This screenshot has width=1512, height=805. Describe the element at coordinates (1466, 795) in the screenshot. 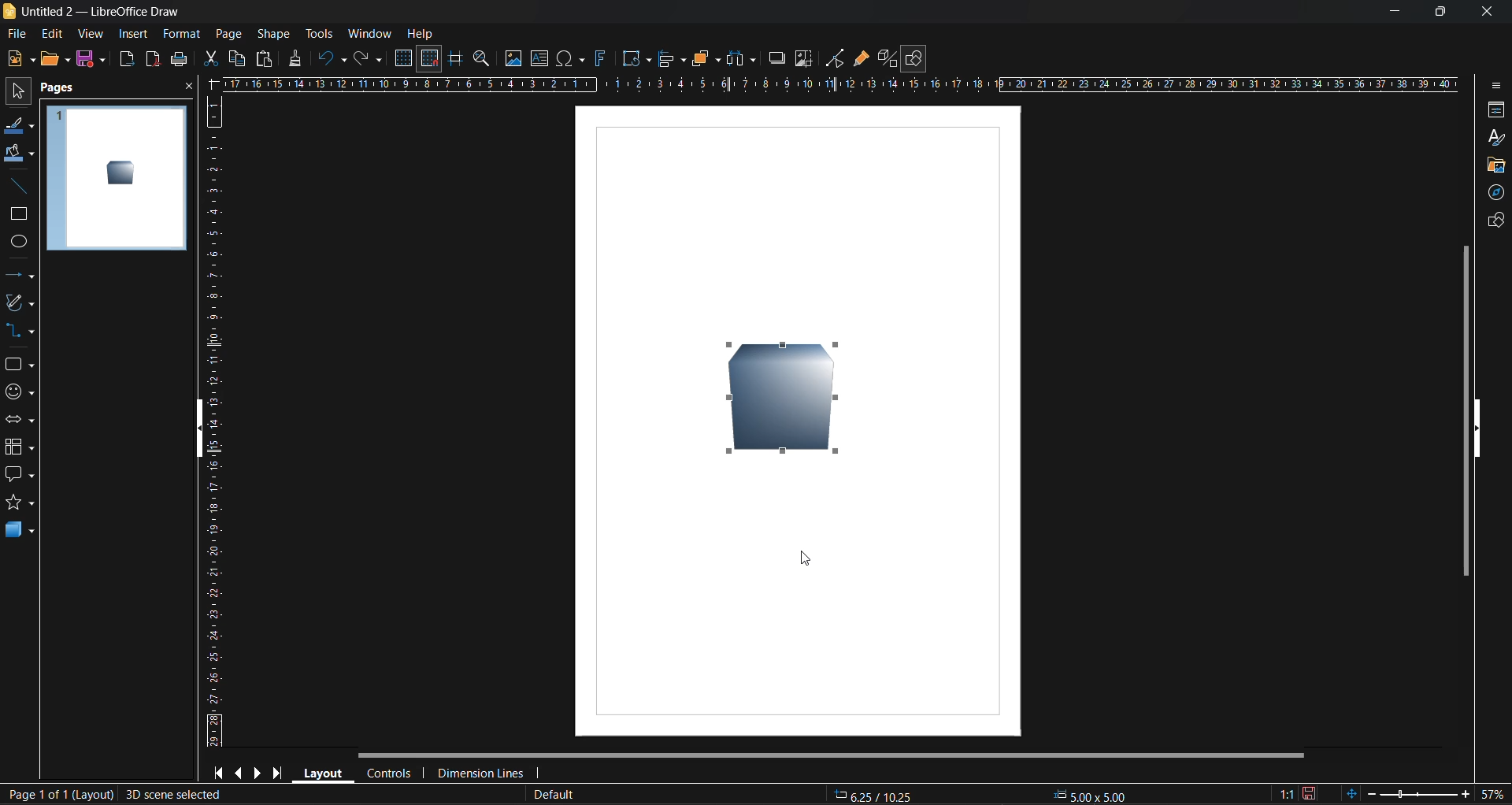

I see `zoom in` at that location.